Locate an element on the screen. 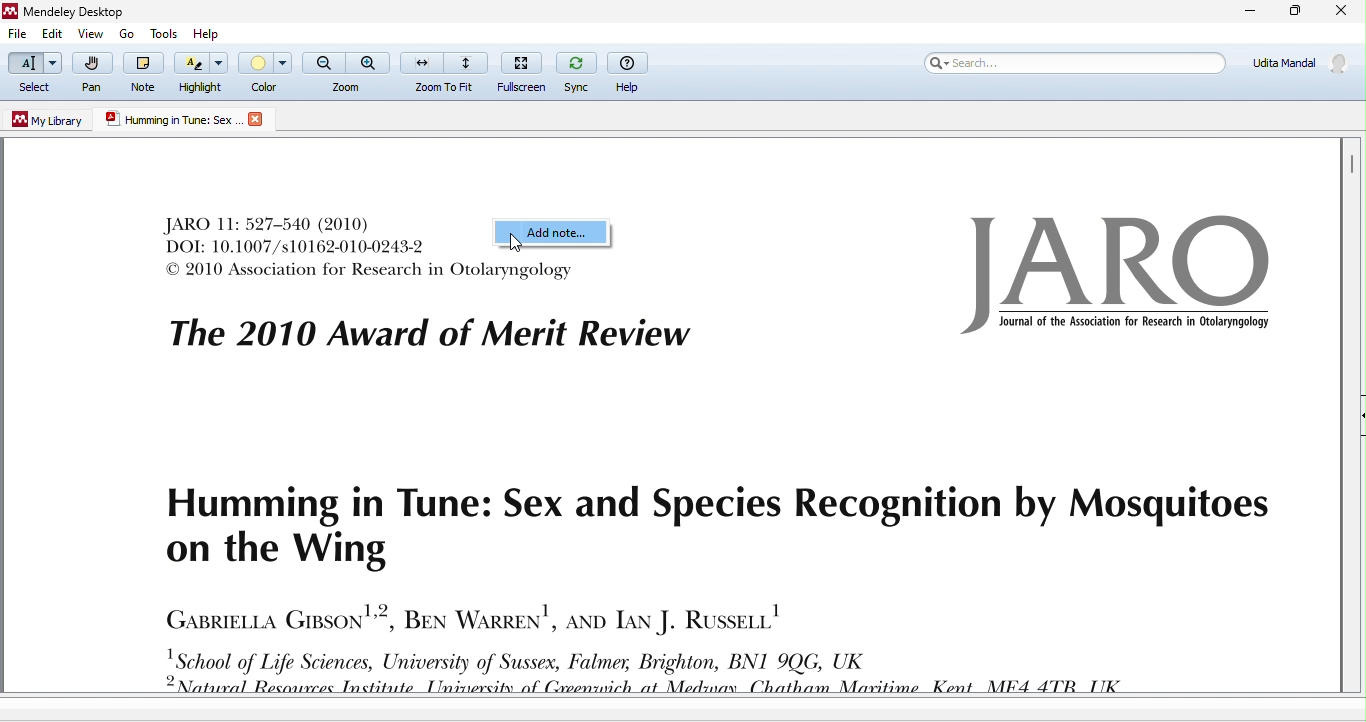  logo is located at coordinates (1117, 277).